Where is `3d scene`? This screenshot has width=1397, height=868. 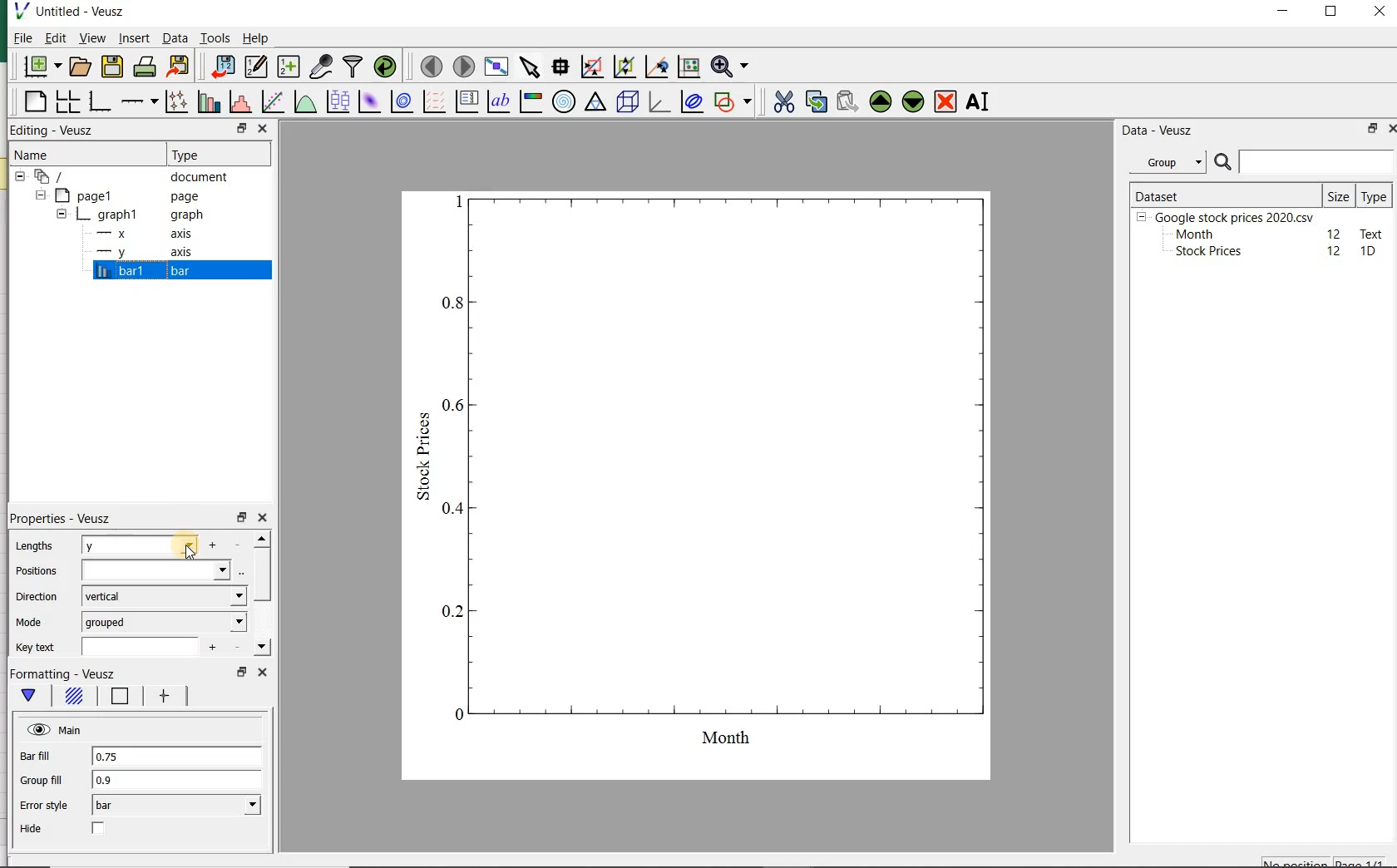
3d scene is located at coordinates (628, 103).